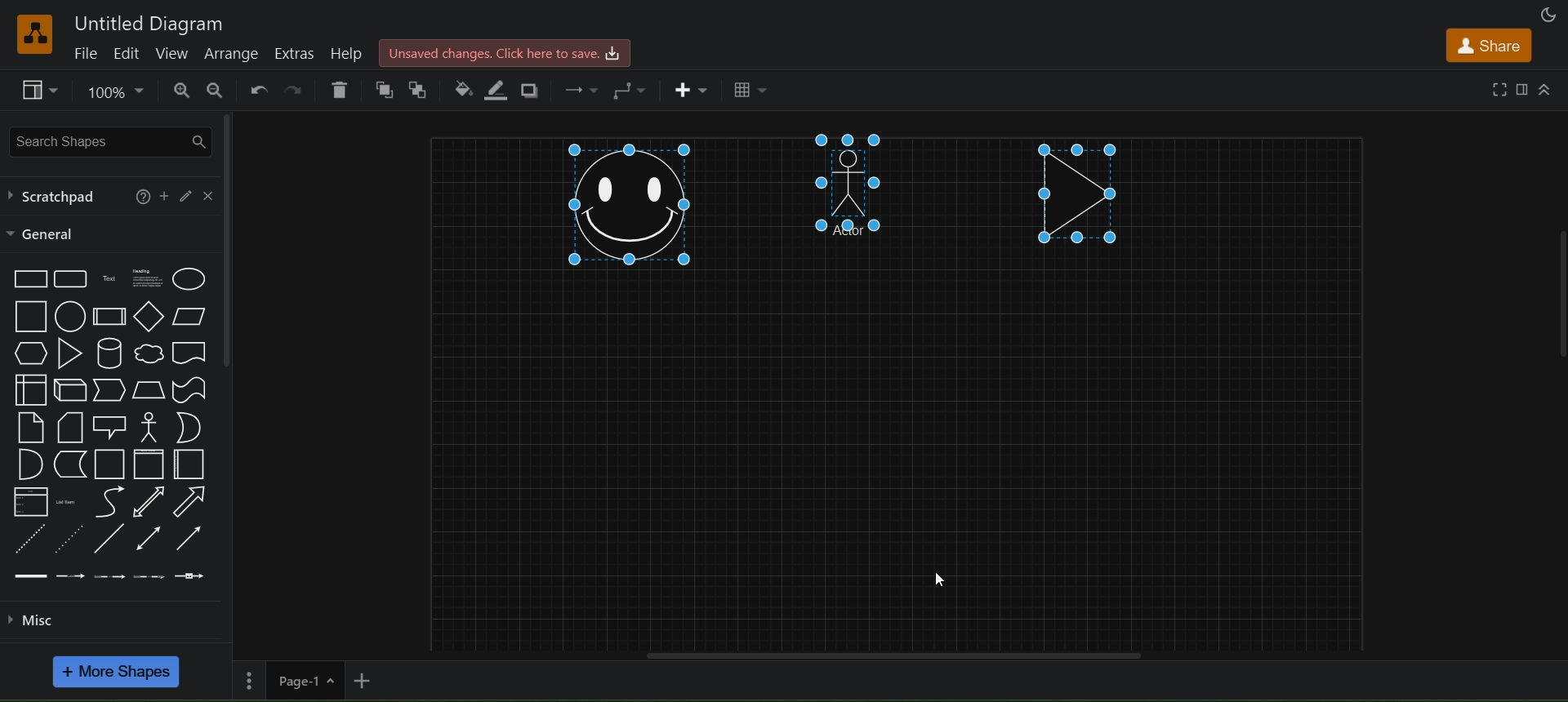 The height and width of the screenshot is (702, 1568). I want to click on shadows, so click(531, 87).